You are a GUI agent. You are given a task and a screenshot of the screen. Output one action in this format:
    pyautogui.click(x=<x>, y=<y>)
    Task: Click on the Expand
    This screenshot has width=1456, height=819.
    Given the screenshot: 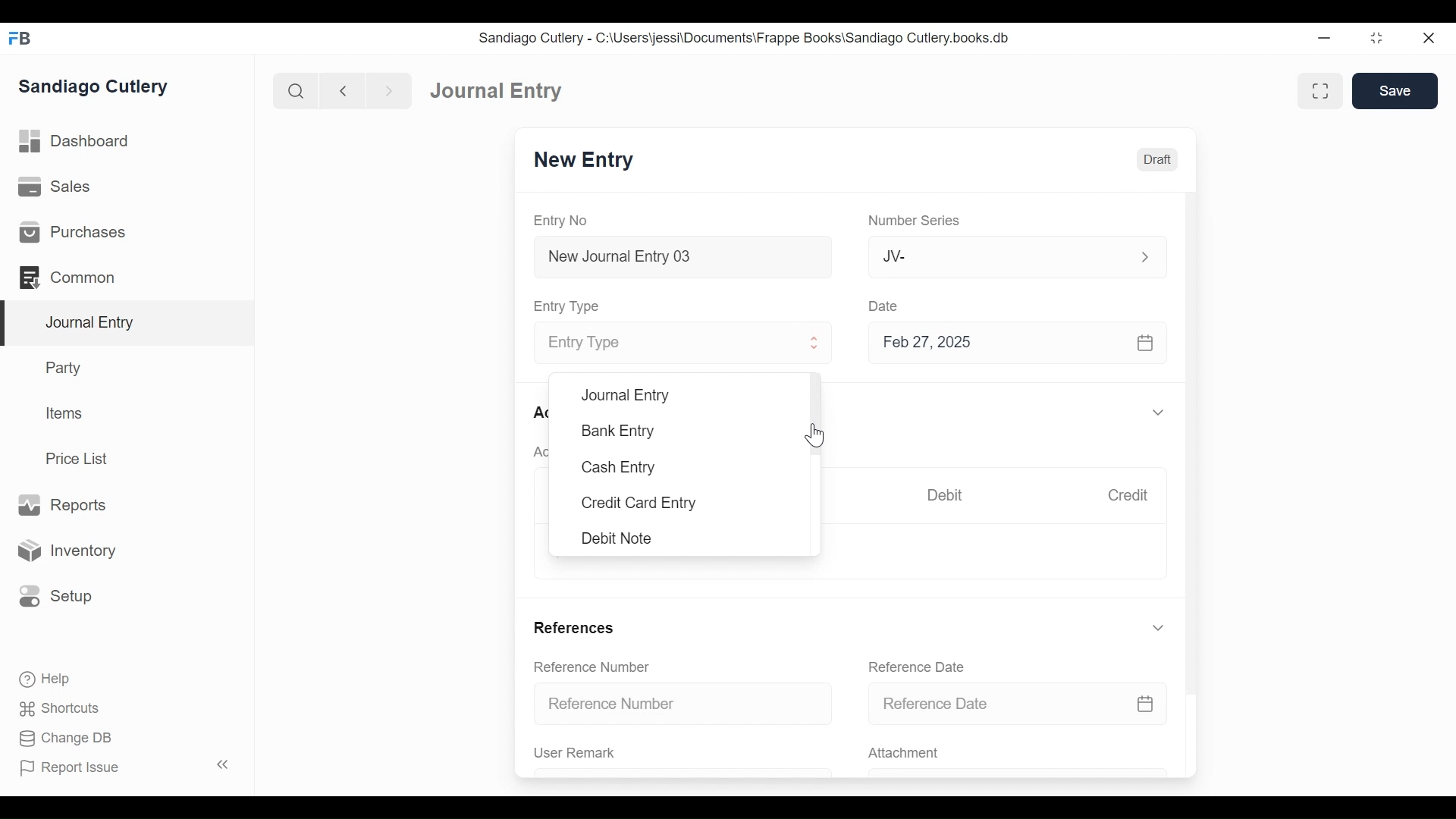 What is the action you would take?
    pyautogui.click(x=1160, y=412)
    